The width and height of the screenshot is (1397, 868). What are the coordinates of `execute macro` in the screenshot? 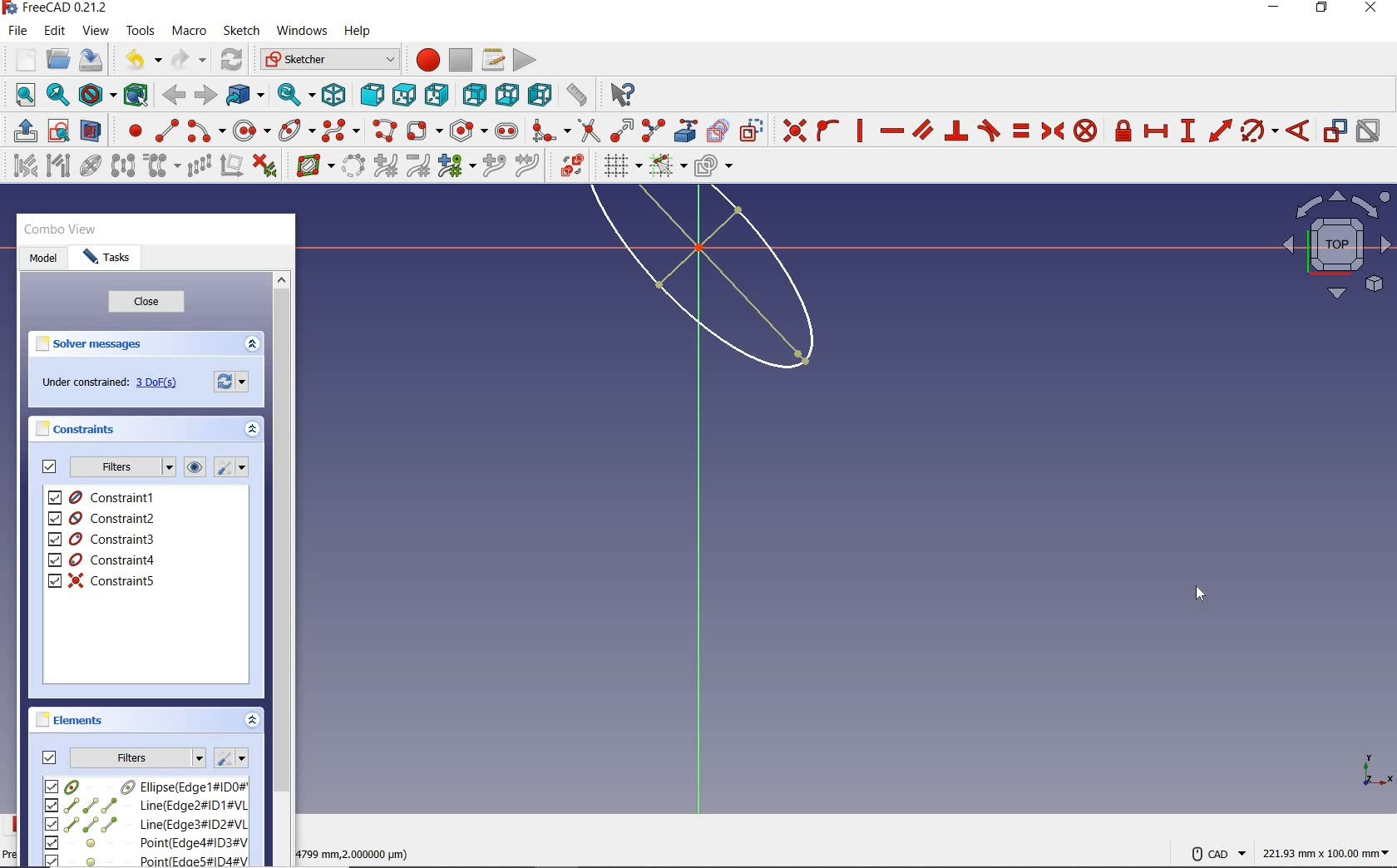 It's located at (526, 58).